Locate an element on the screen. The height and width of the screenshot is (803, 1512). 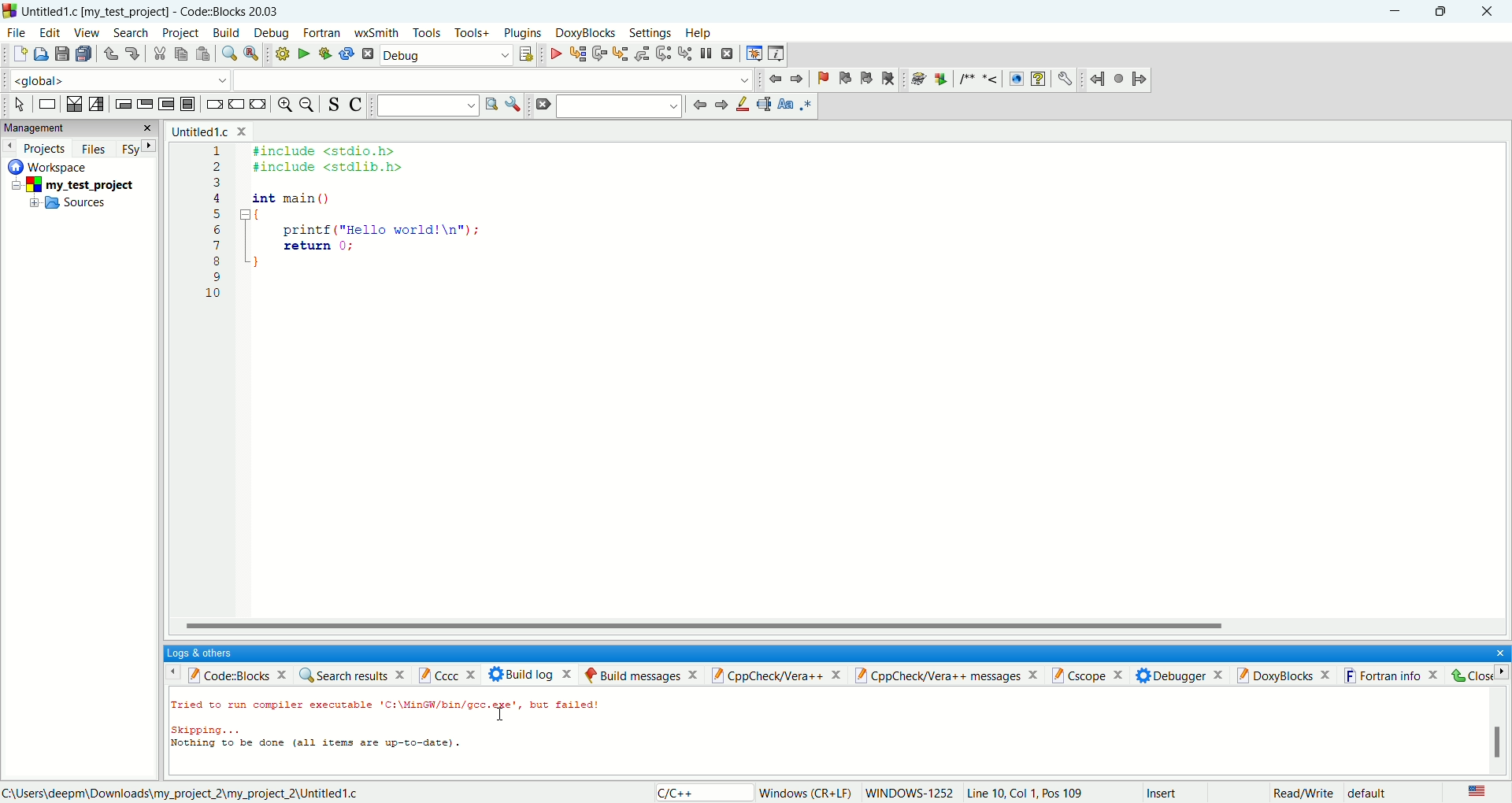
debug is located at coordinates (446, 57).